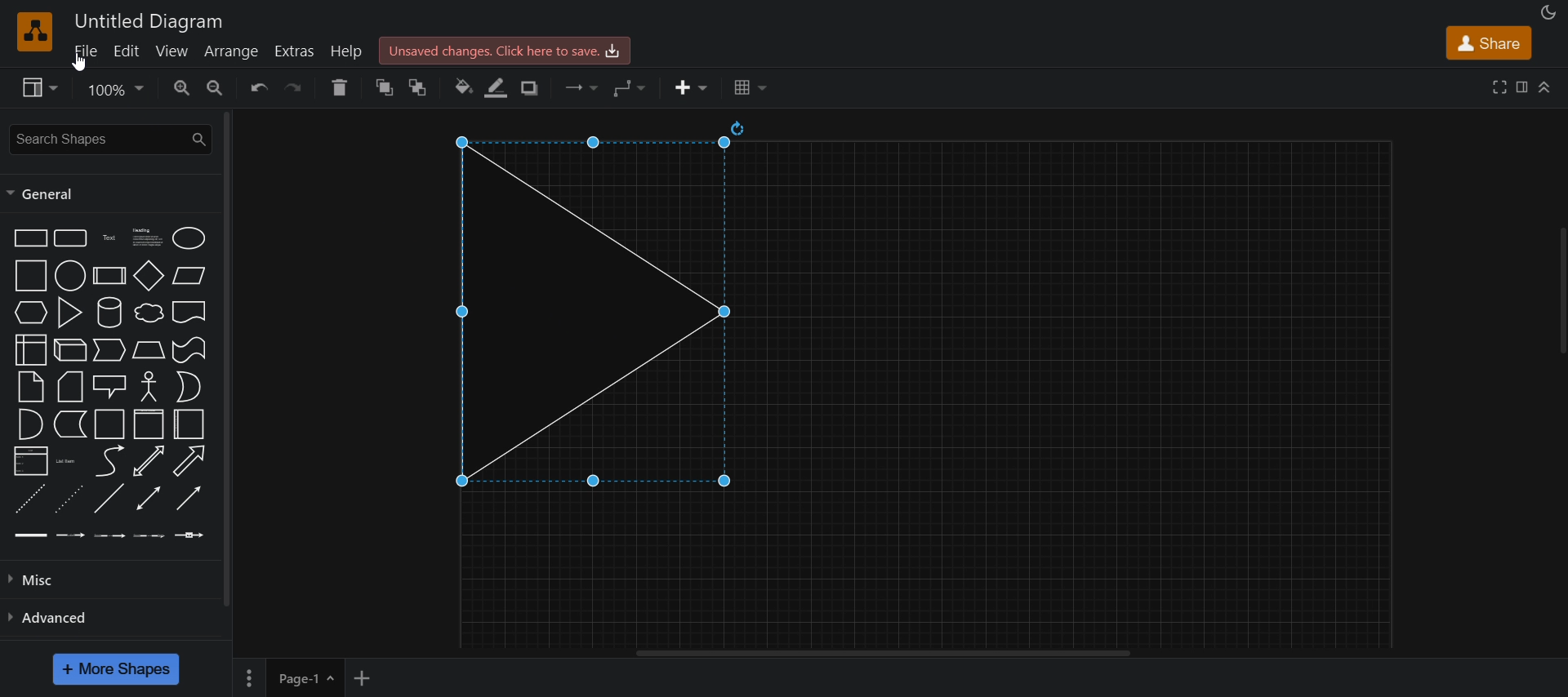  I want to click on vertical scroll bar, so click(228, 358).